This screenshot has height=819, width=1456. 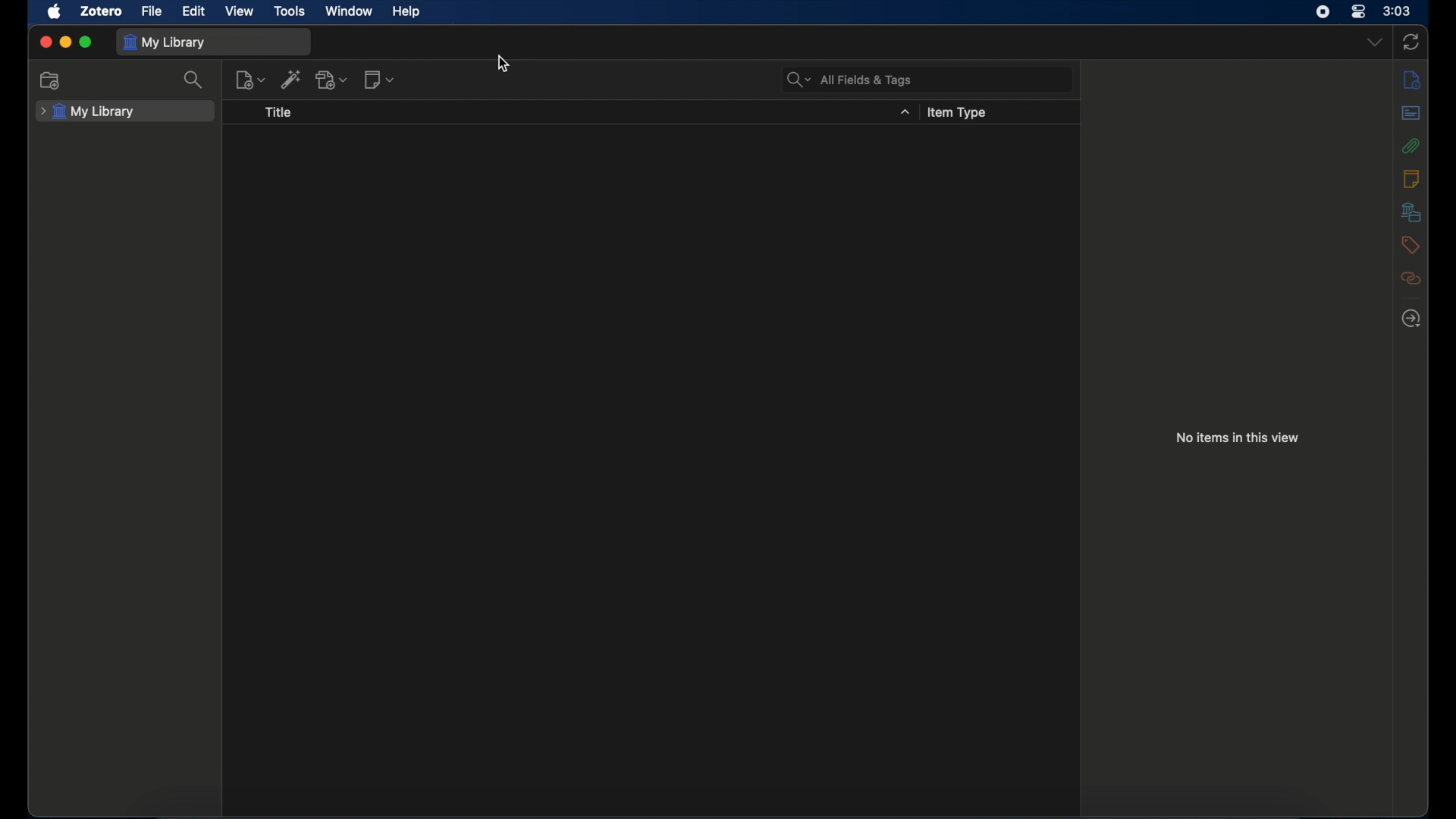 What do you see at coordinates (849, 80) in the screenshot?
I see `all fields & tags` at bounding box center [849, 80].